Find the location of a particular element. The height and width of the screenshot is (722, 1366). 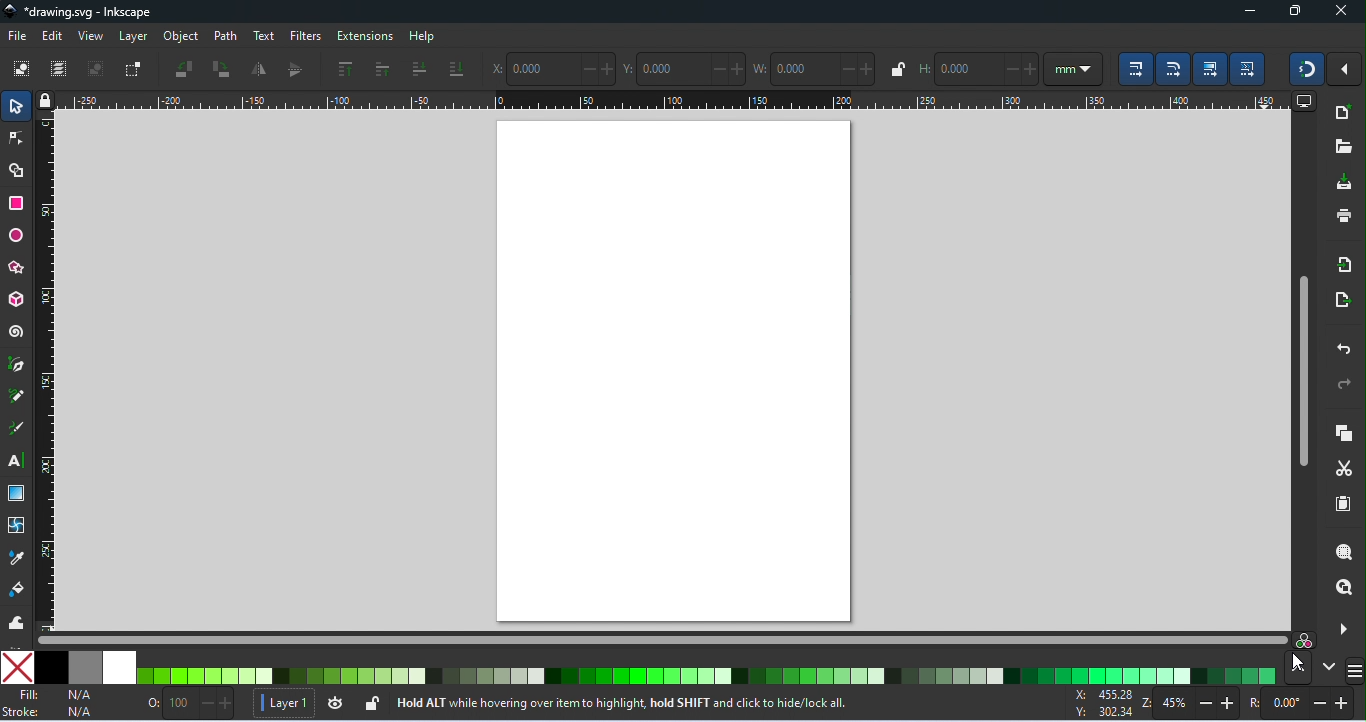

rectangle is located at coordinates (17, 202).